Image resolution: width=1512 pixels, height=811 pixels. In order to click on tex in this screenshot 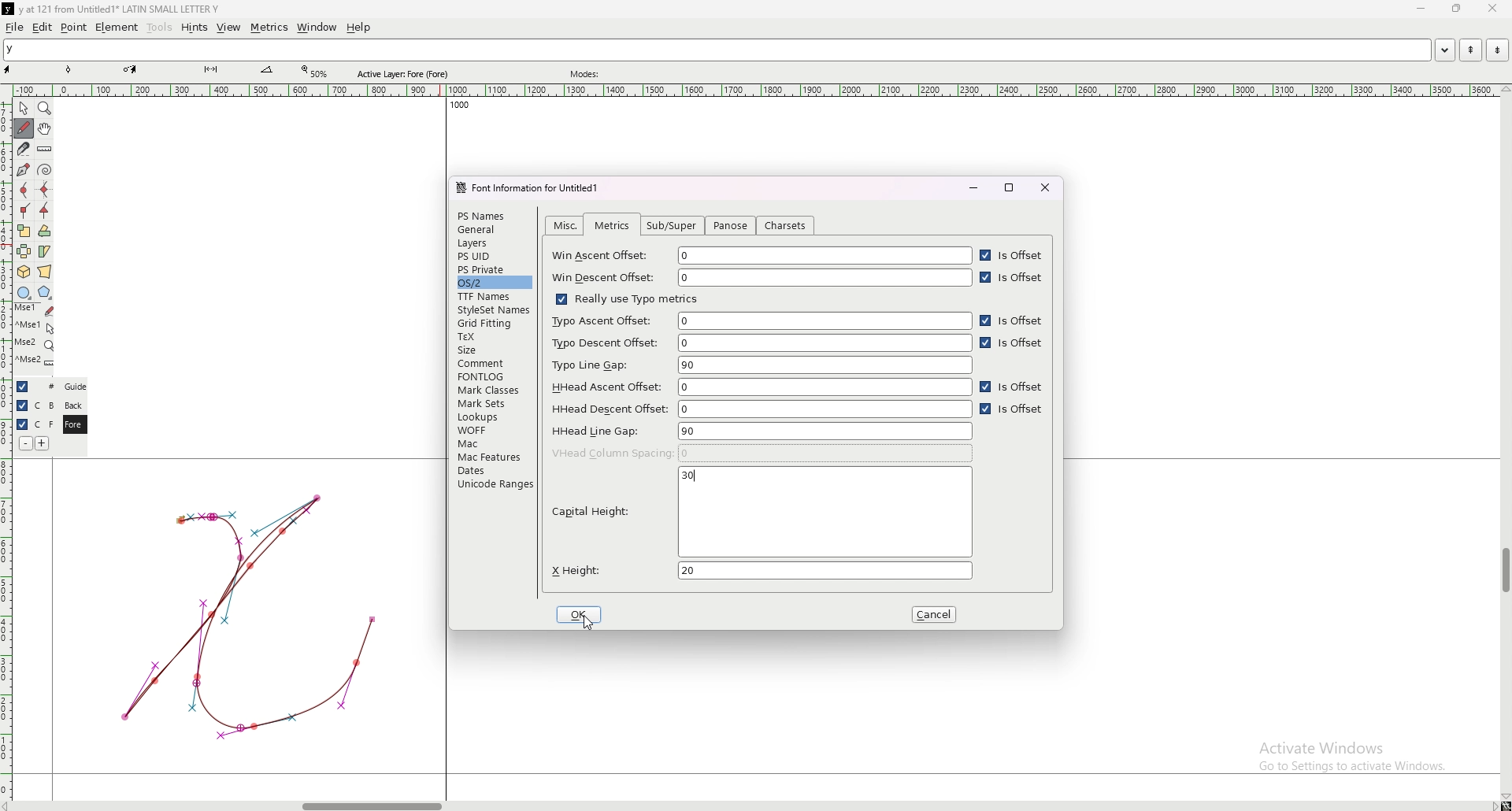, I will do `click(493, 337)`.